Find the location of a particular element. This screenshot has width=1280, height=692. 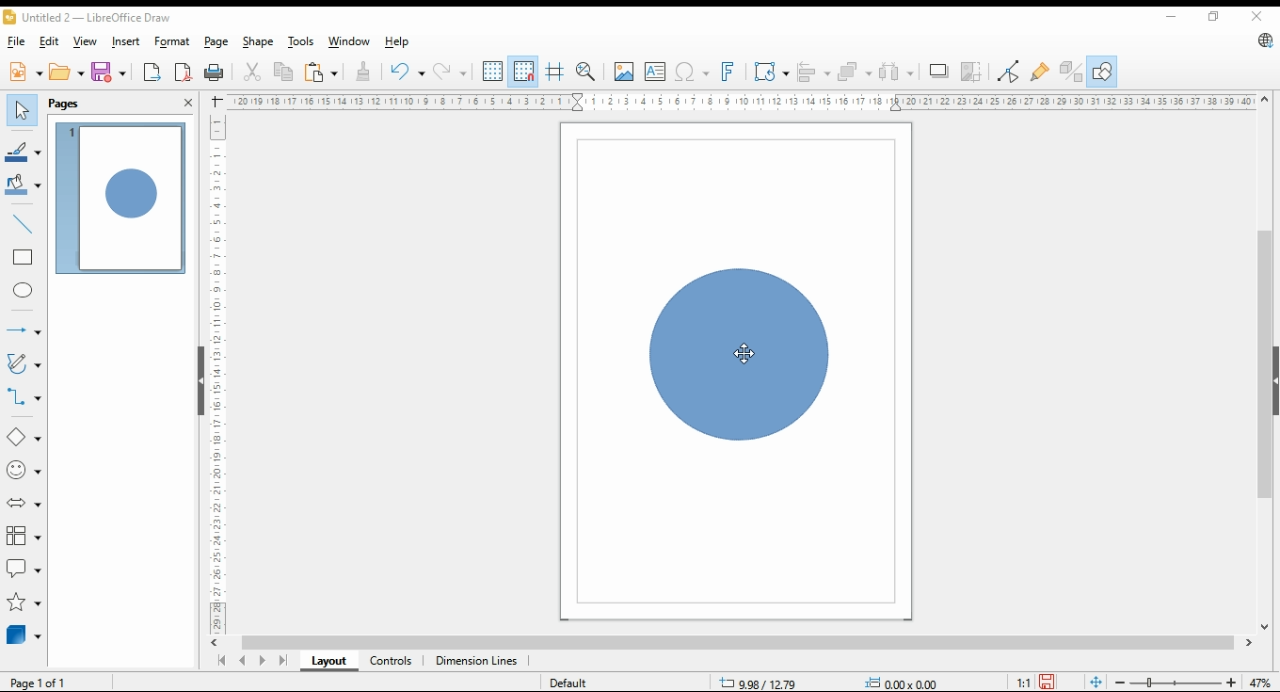

insert is located at coordinates (126, 41).